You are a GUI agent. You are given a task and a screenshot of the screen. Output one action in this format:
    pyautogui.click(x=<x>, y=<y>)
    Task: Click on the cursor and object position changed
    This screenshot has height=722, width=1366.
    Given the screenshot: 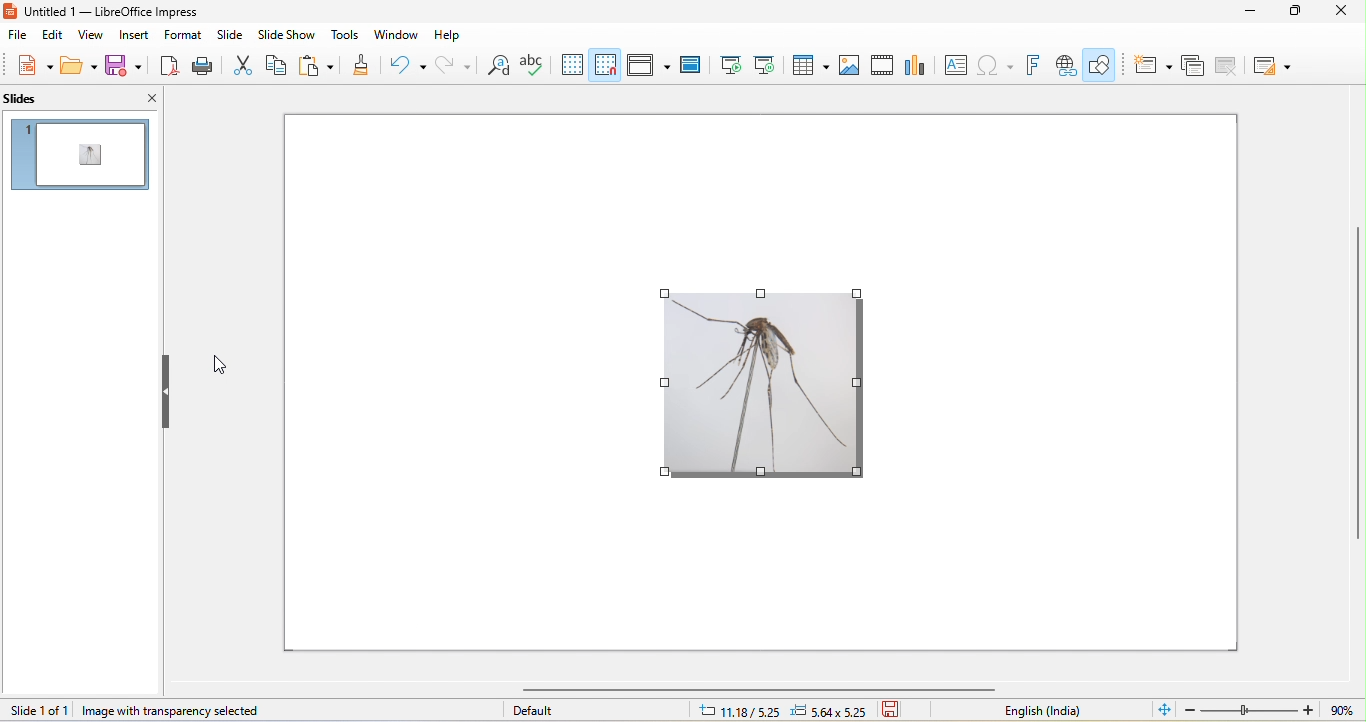 What is the action you would take?
    pyautogui.click(x=791, y=709)
    